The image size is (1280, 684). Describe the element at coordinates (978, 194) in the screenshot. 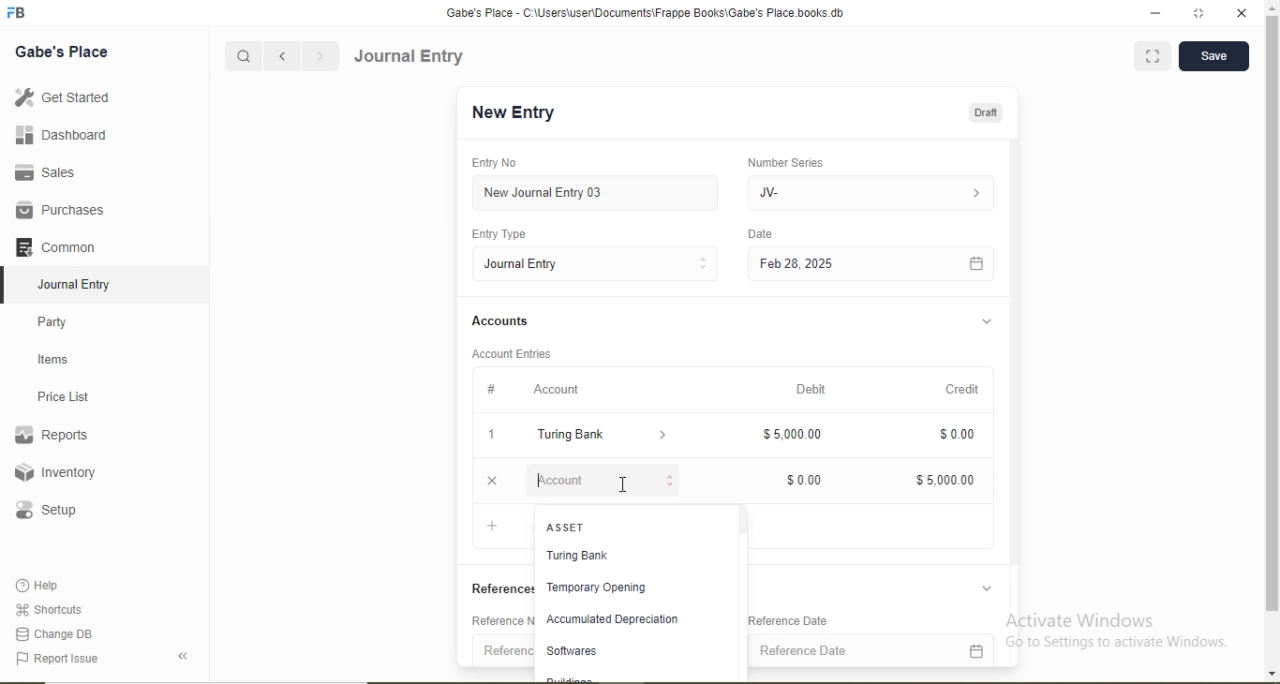

I see `Dropdown` at that location.